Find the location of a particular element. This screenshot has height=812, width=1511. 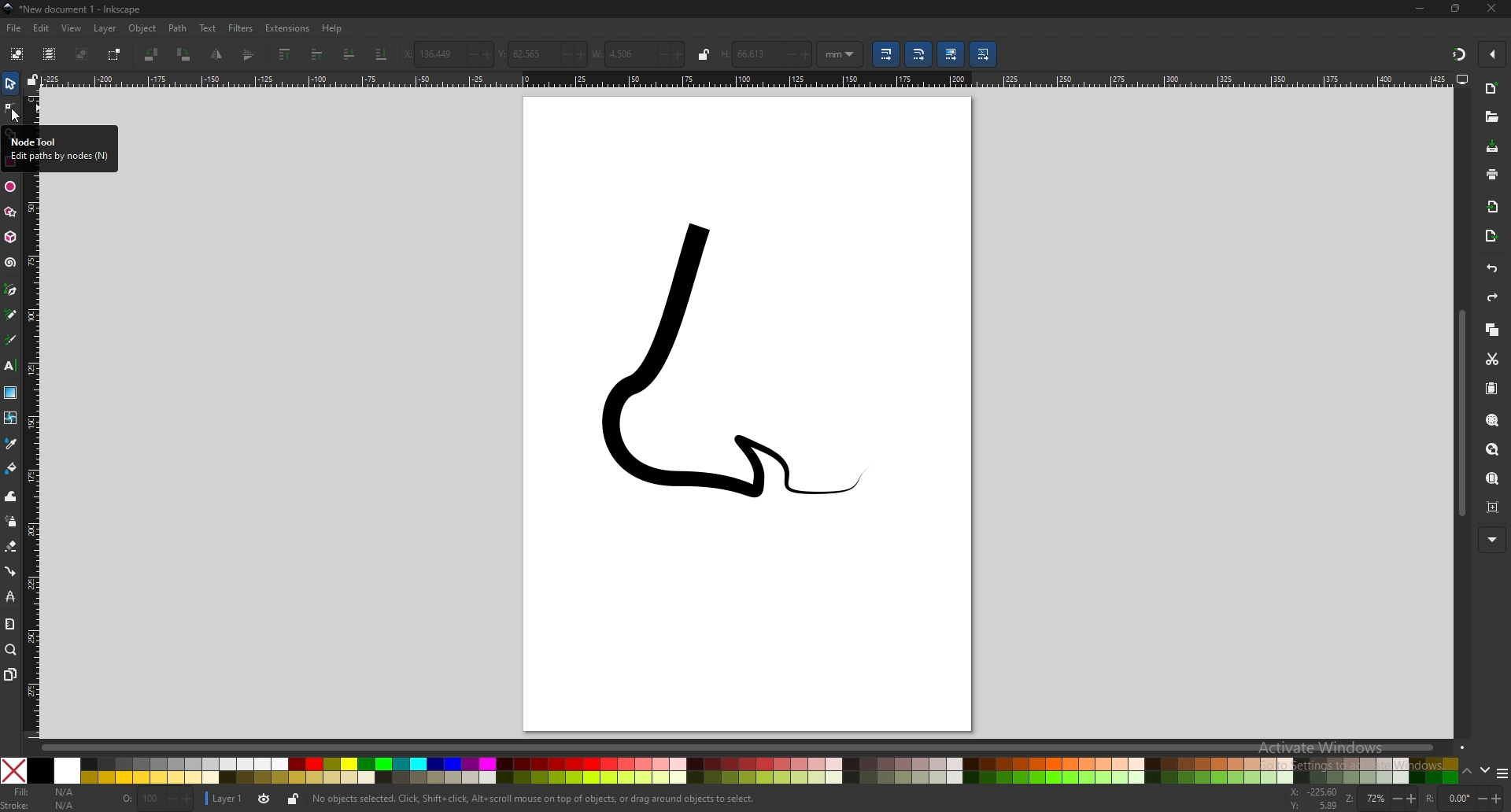

move gradient is located at coordinates (951, 54).